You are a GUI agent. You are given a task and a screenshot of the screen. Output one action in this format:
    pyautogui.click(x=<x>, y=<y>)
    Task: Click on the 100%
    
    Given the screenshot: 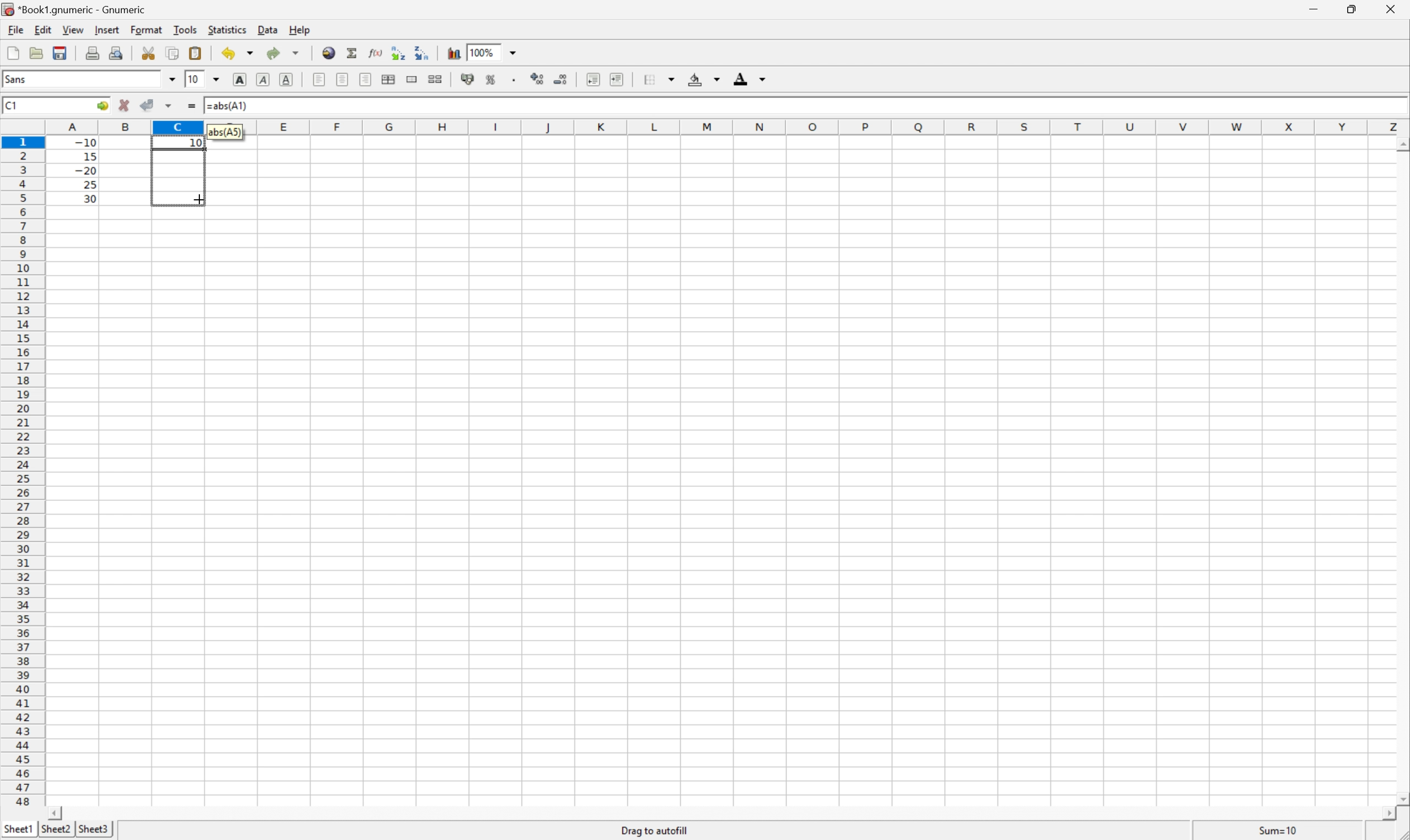 What is the action you would take?
    pyautogui.click(x=484, y=52)
    